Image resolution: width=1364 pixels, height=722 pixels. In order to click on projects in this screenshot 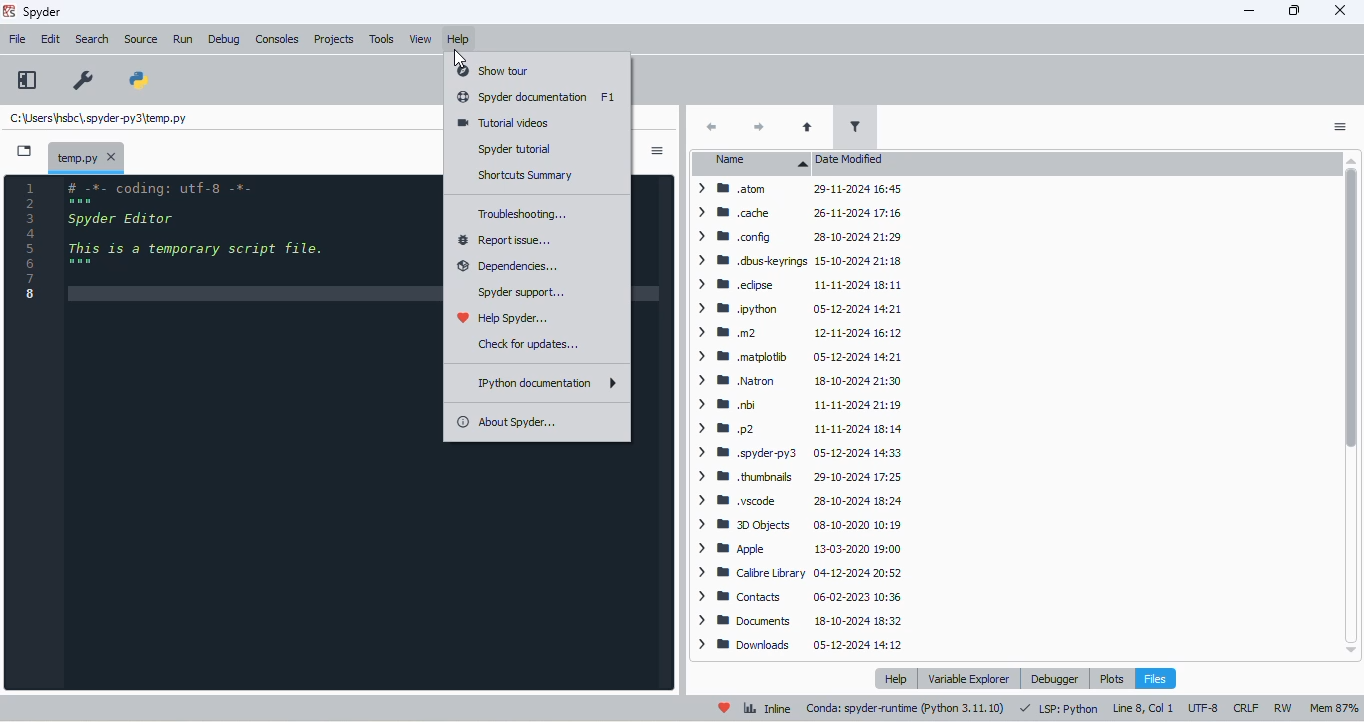, I will do `click(334, 39)`.